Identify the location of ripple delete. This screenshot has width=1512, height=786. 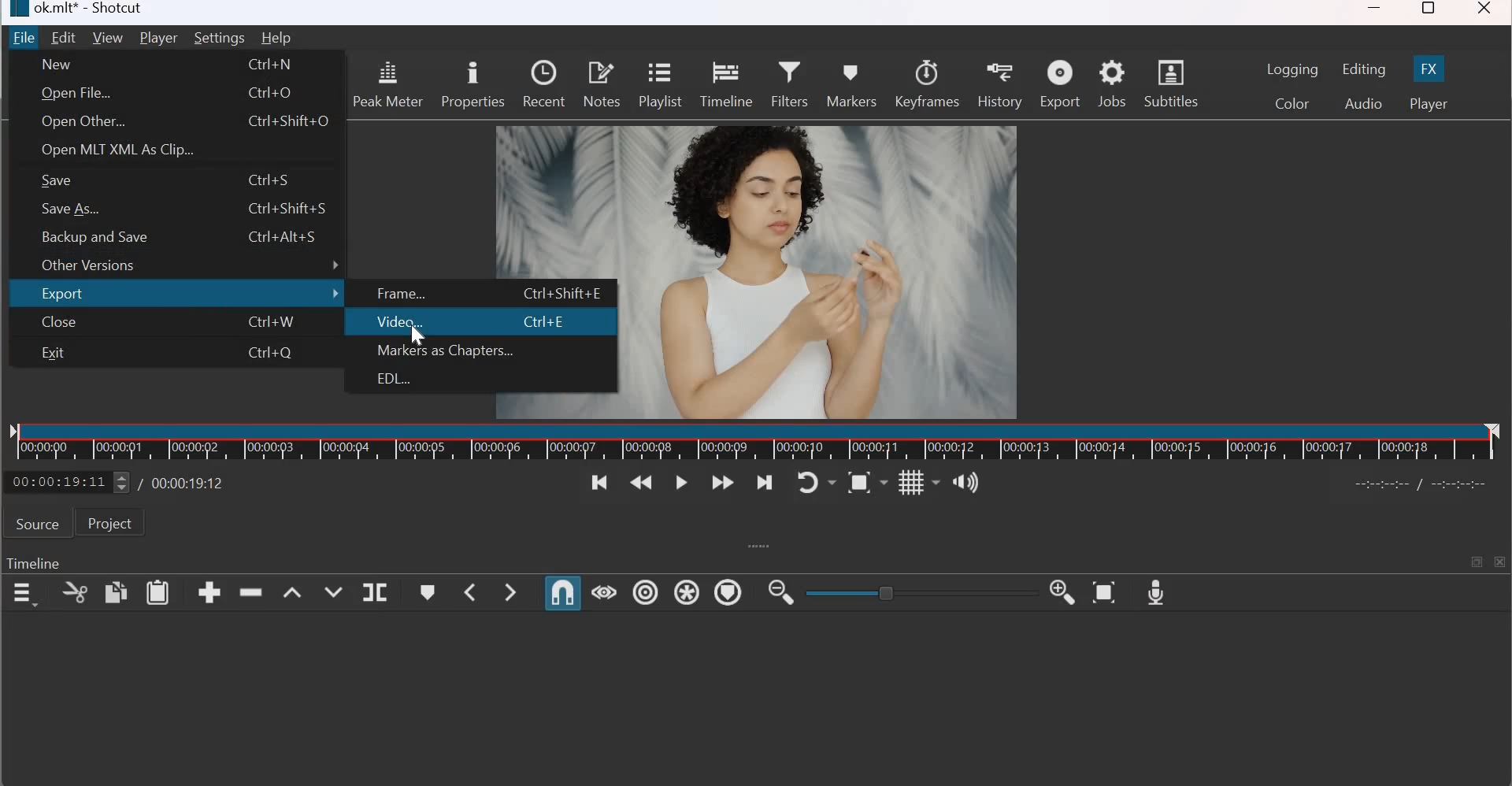
(252, 591).